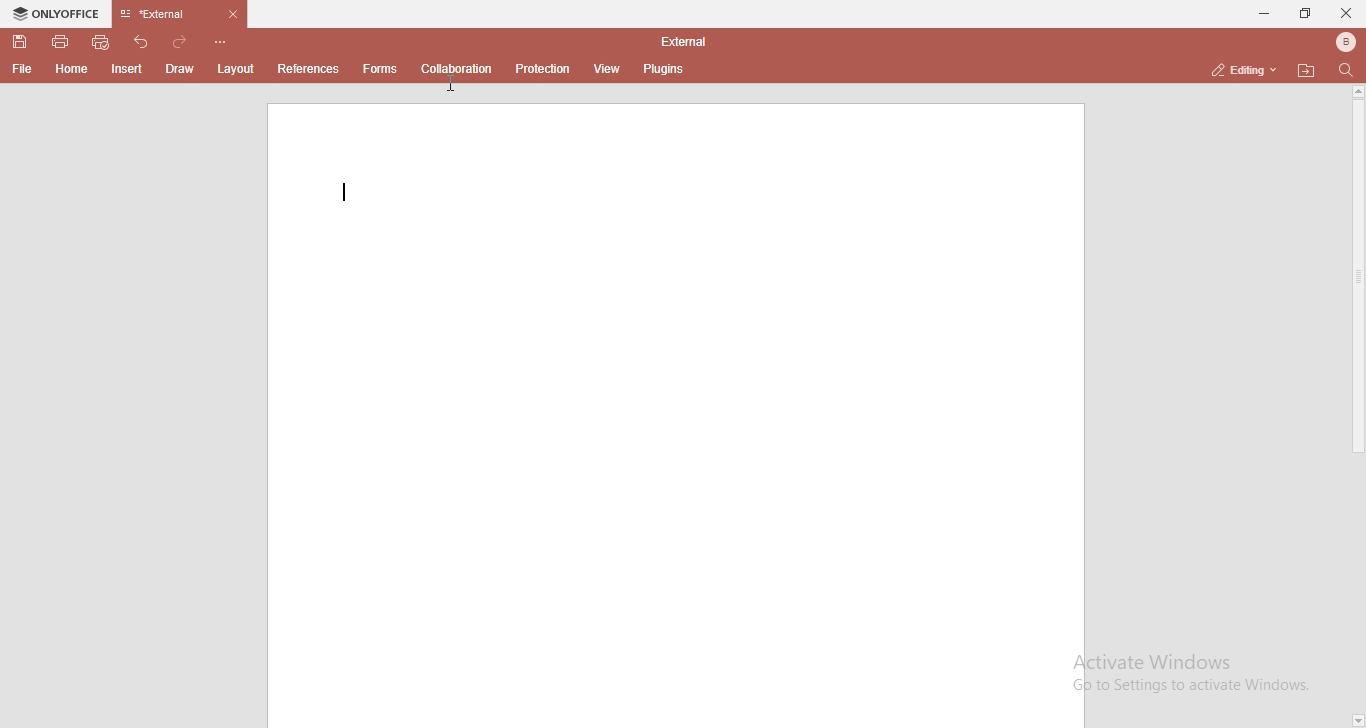 The height and width of the screenshot is (728, 1366). Describe the element at coordinates (102, 42) in the screenshot. I see `quick print` at that location.